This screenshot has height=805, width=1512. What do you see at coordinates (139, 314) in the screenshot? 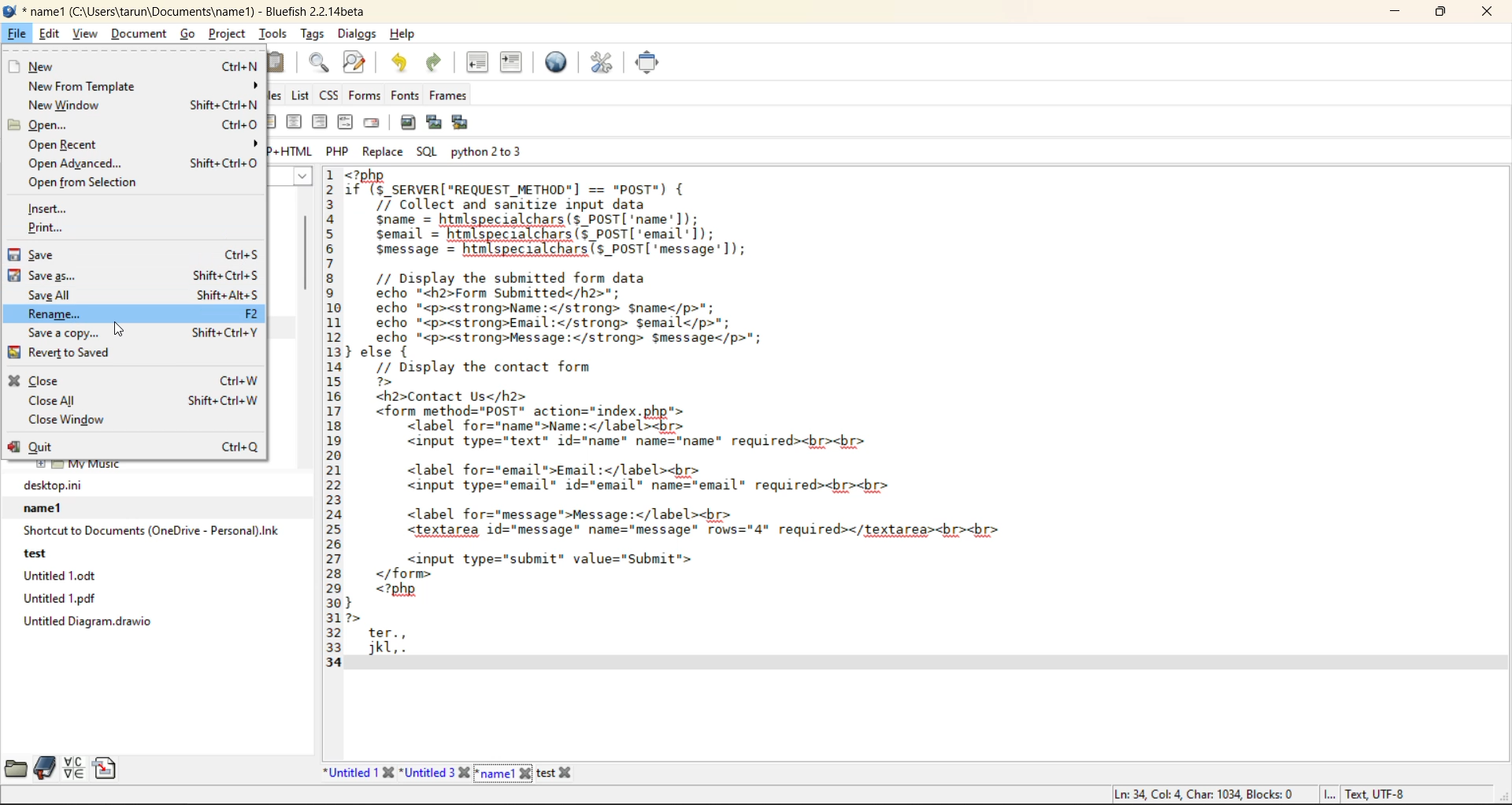
I see `rename` at bounding box center [139, 314].